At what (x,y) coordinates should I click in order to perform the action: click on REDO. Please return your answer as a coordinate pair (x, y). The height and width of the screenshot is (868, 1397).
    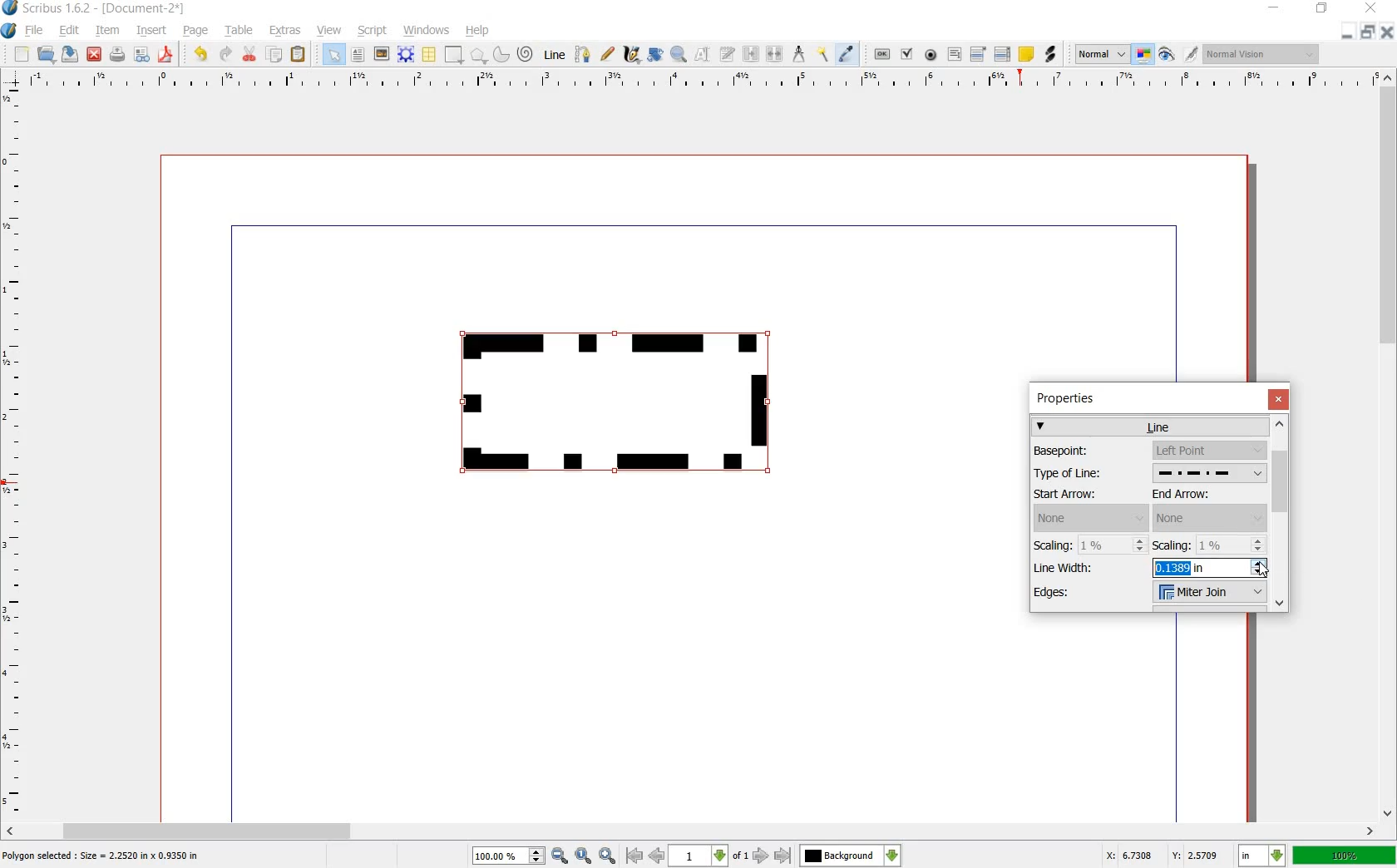
    Looking at the image, I should click on (226, 55).